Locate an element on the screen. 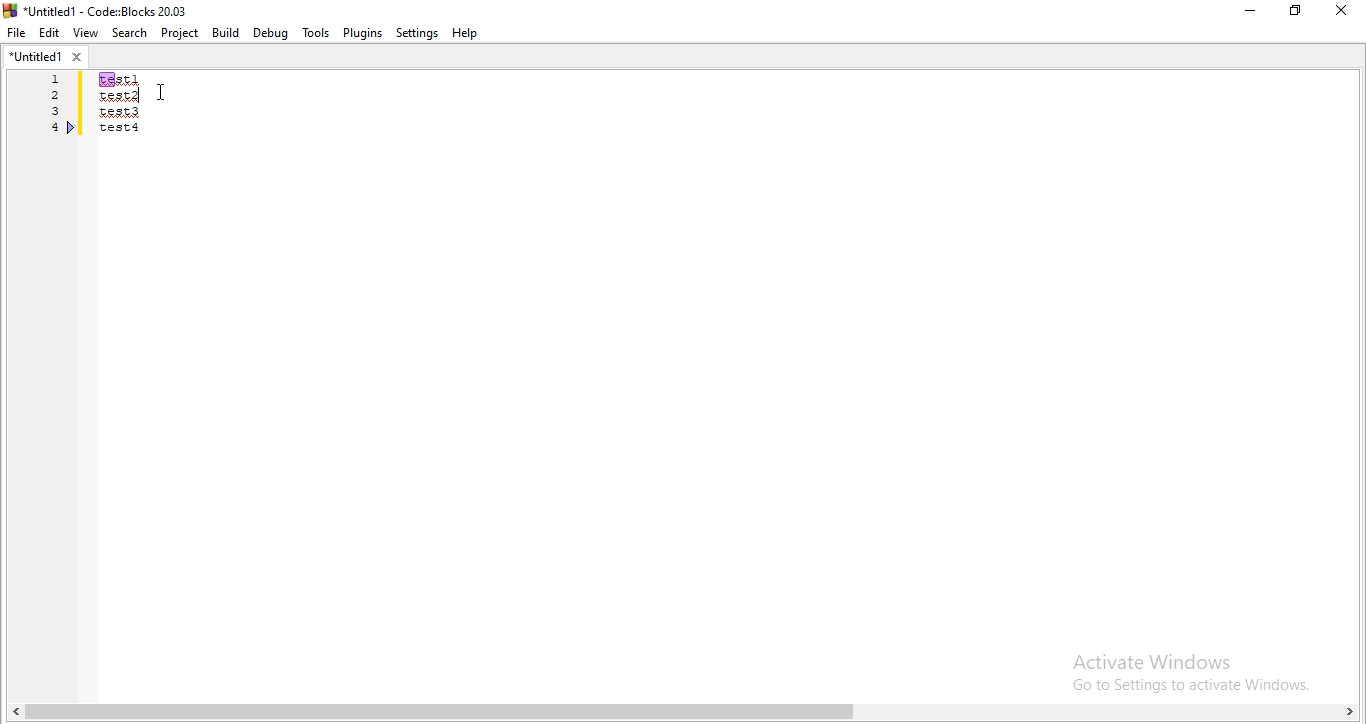  Debug  is located at coordinates (269, 31).